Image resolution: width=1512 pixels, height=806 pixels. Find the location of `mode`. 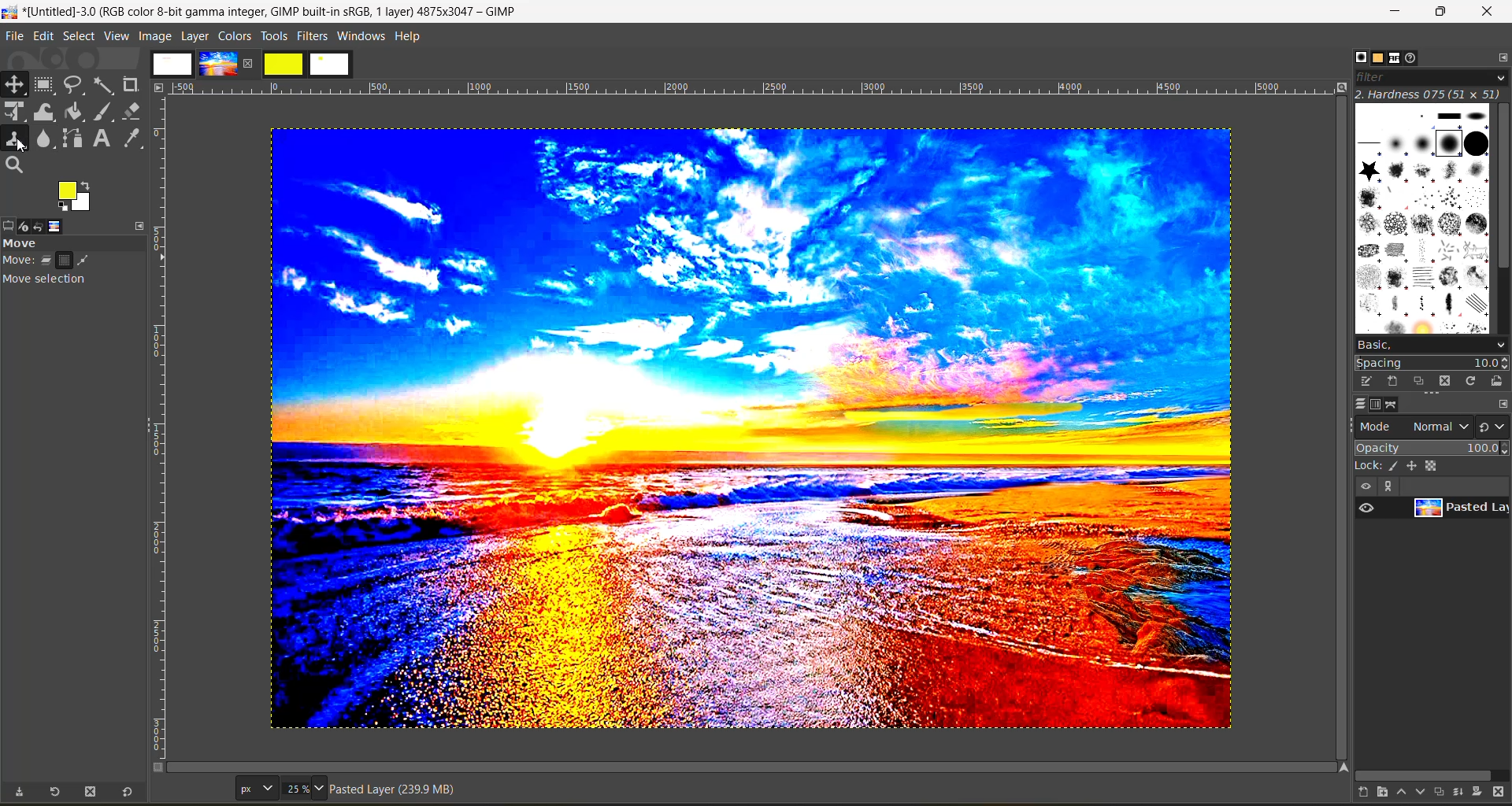

mode is located at coordinates (1415, 425).